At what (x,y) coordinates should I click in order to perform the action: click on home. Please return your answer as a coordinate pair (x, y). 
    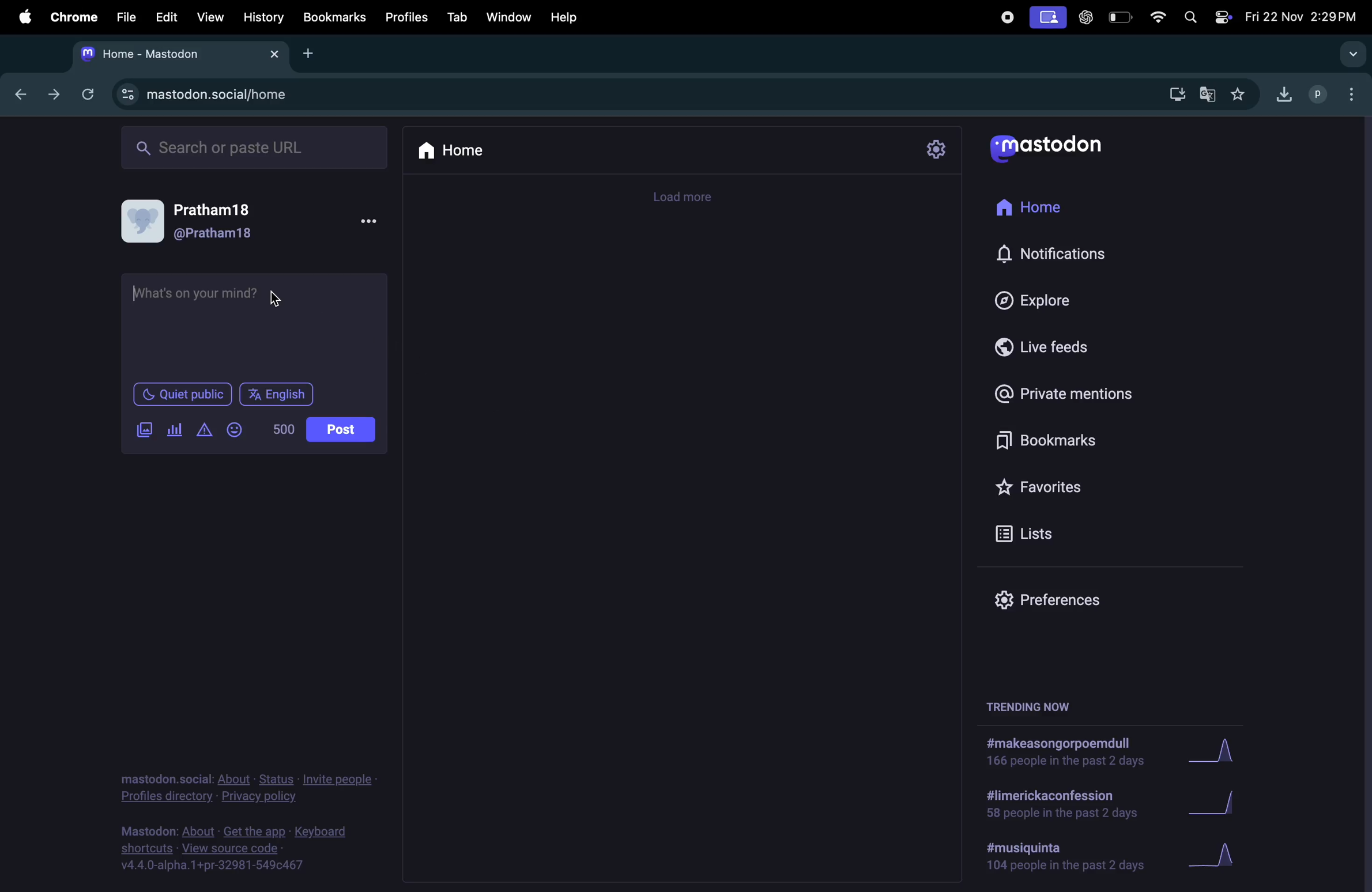
    Looking at the image, I should click on (1048, 205).